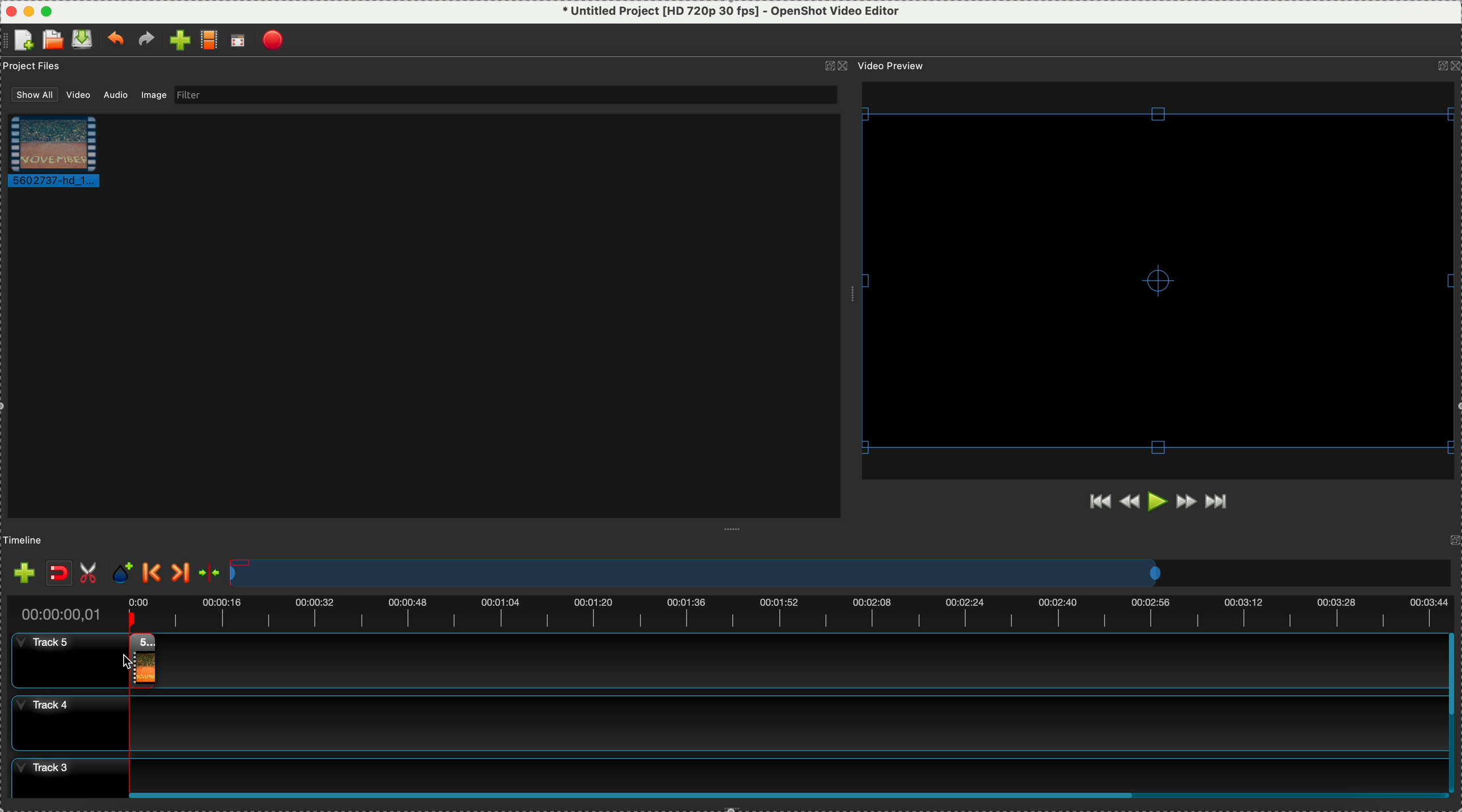  Describe the element at coordinates (732, 11) in the screenshot. I see `* Untitled Project [HD 720p 30 fps] - OpenShot Video Editor` at that location.